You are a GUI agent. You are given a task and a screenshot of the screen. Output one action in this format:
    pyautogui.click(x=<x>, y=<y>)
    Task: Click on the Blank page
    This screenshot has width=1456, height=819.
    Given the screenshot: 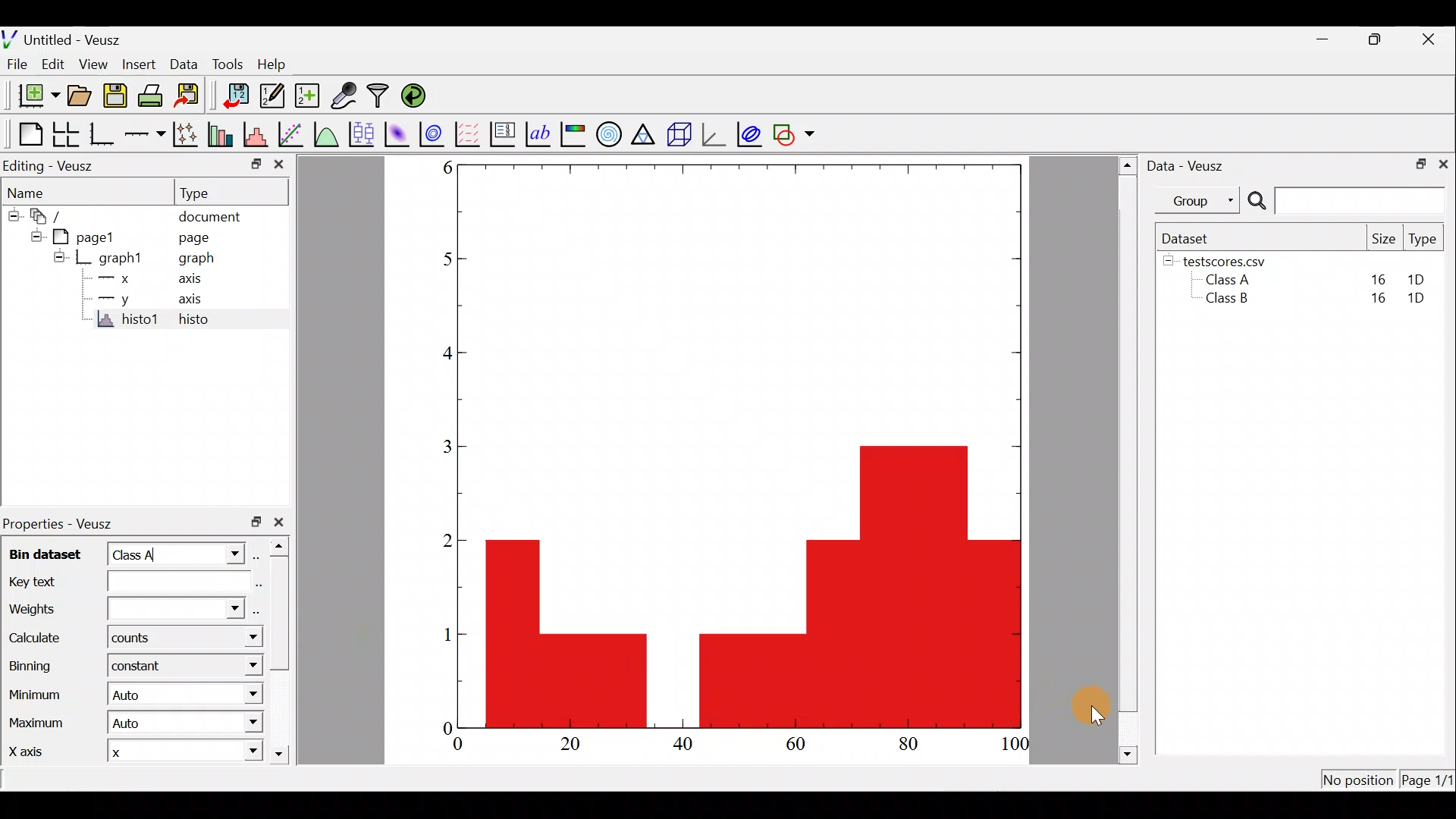 What is the action you would take?
    pyautogui.click(x=24, y=132)
    